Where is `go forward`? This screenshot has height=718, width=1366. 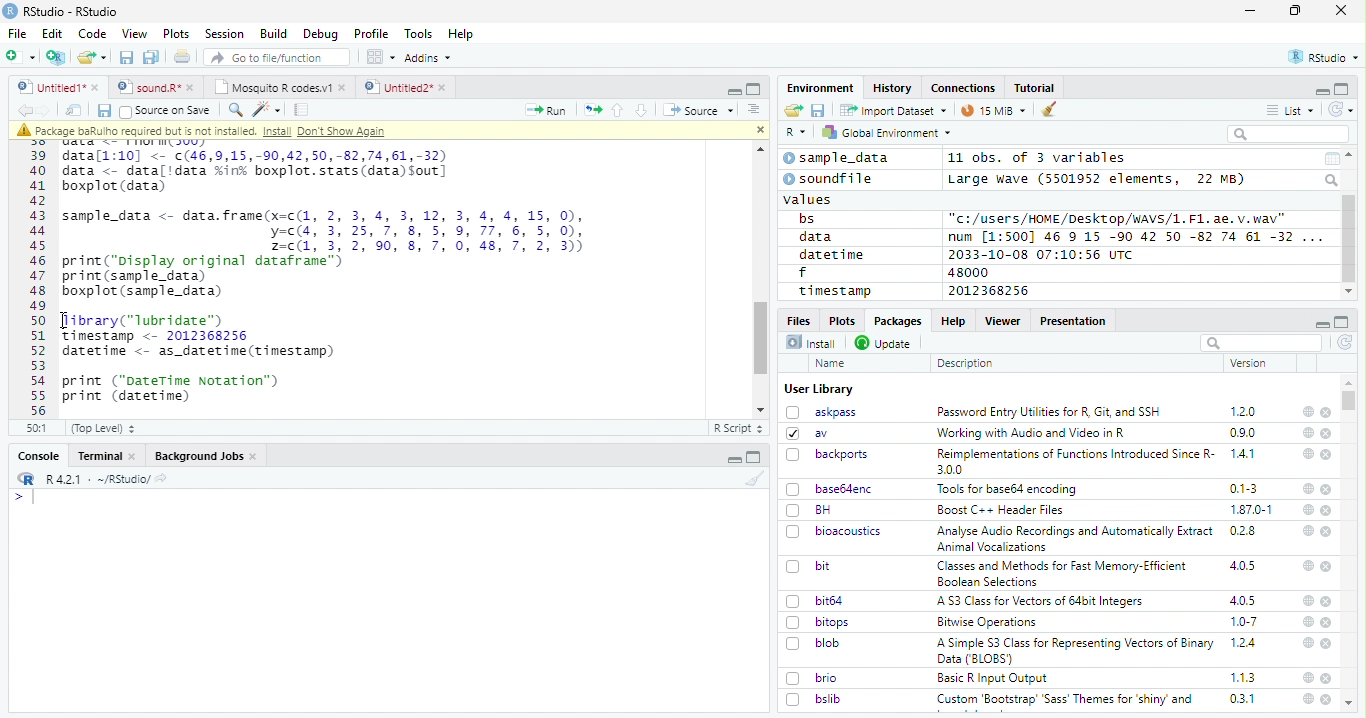 go forward is located at coordinates (48, 110).